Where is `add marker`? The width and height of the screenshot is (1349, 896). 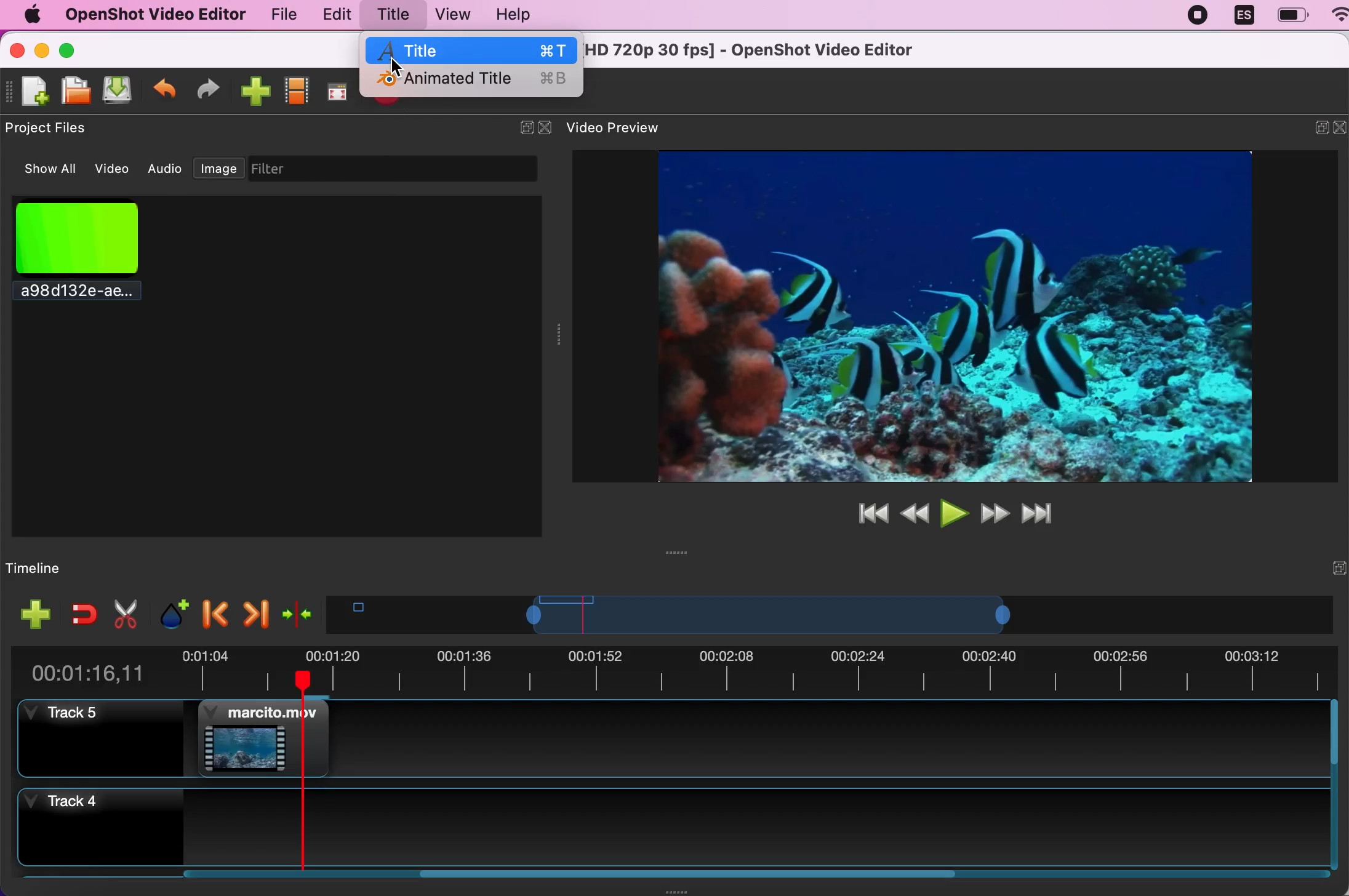 add marker is located at coordinates (169, 612).